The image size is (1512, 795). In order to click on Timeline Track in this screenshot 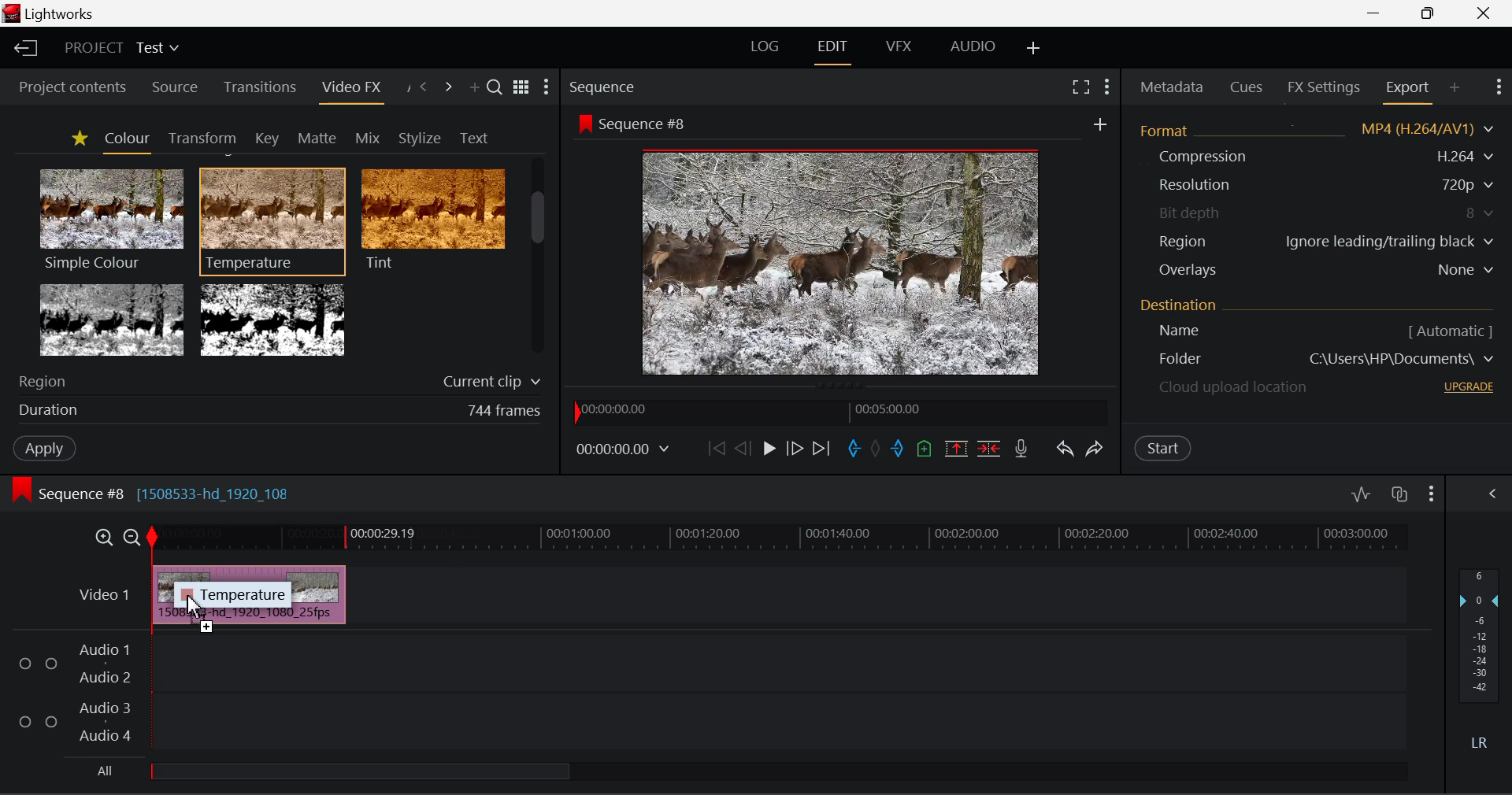, I will do `click(781, 538)`.